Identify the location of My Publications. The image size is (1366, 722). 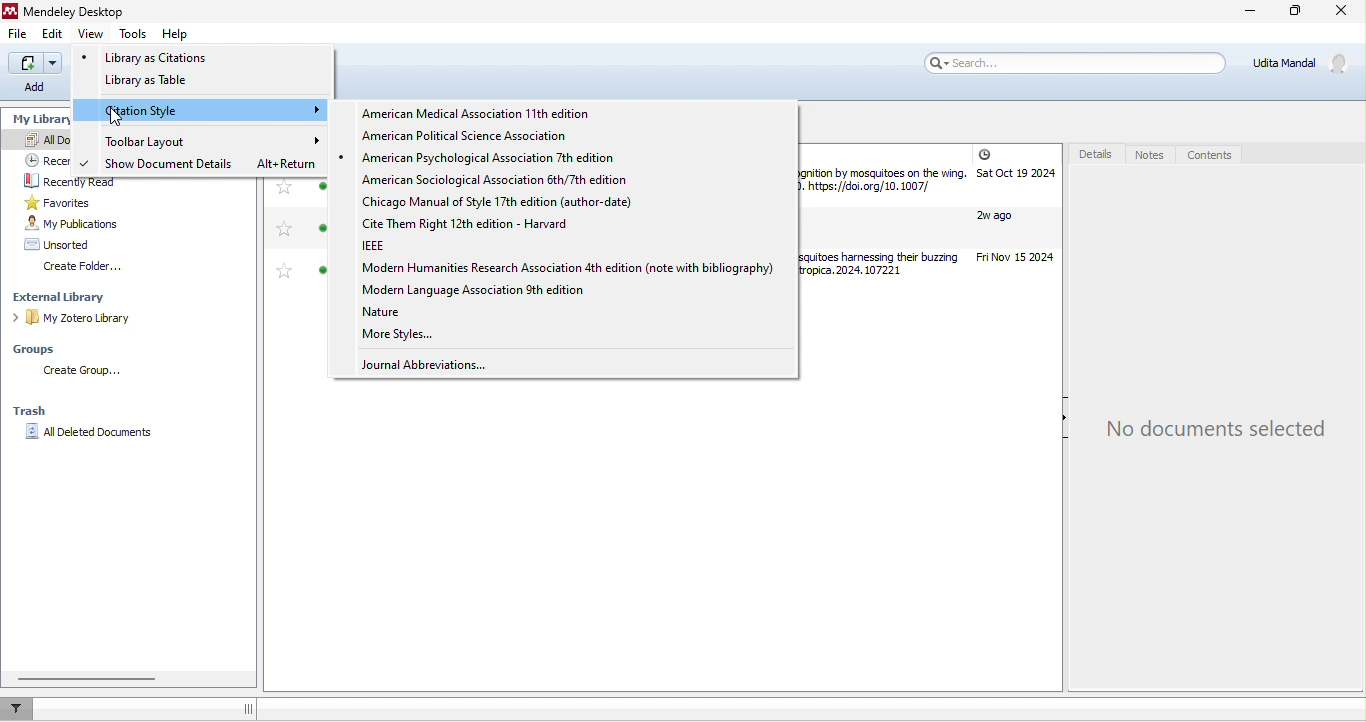
(82, 224).